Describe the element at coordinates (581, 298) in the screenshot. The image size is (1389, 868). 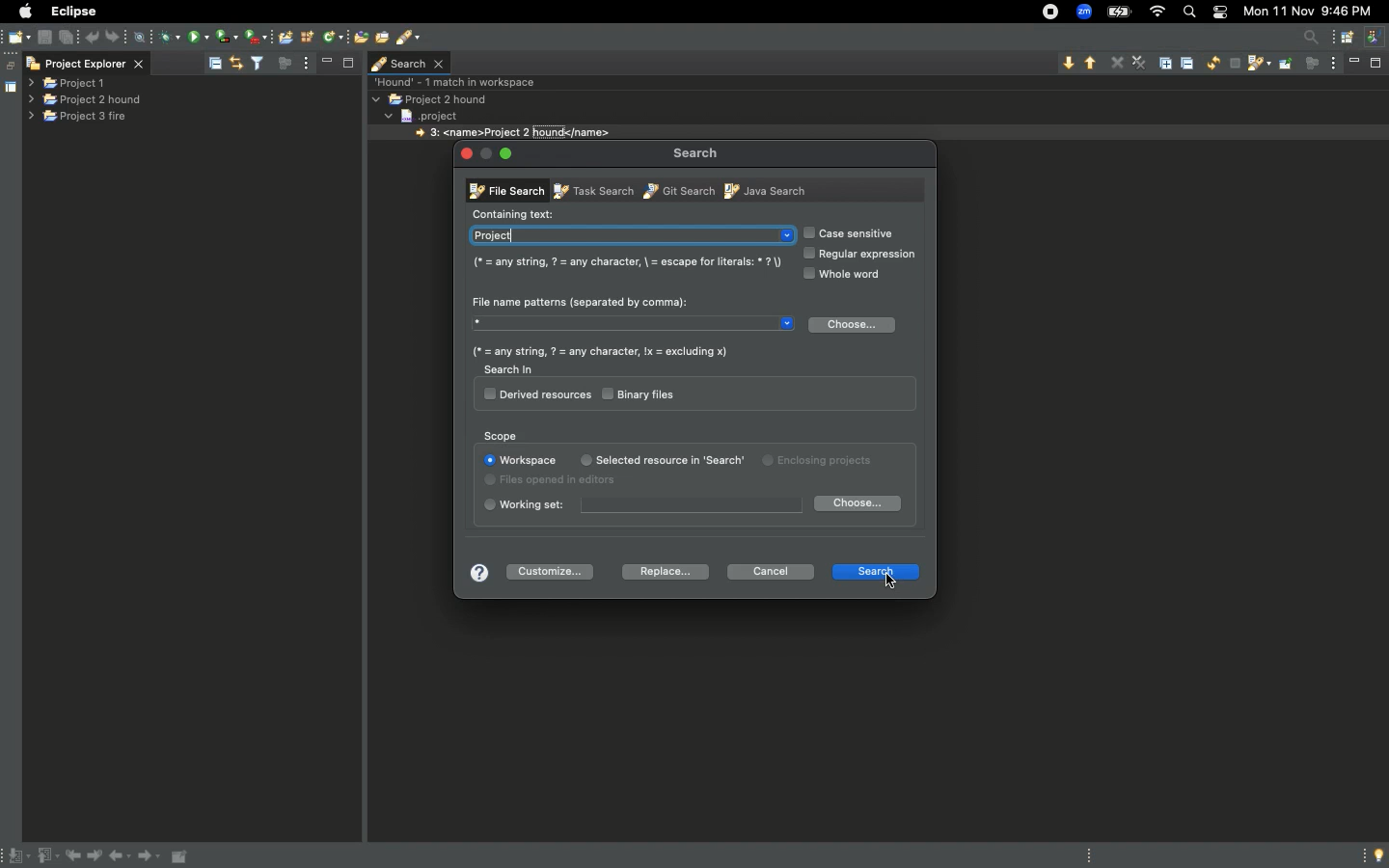
I see `File name patterns (seperated by comma):` at that location.